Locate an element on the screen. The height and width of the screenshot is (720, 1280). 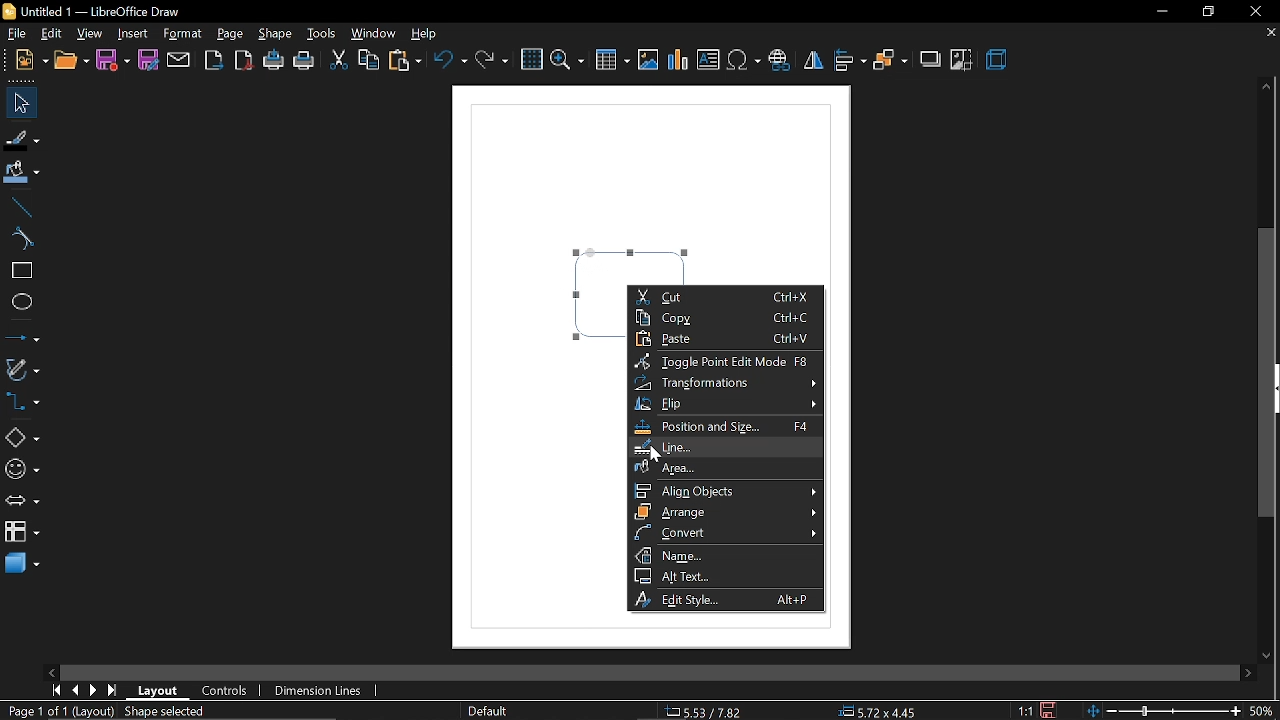
copy is located at coordinates (369, 59).